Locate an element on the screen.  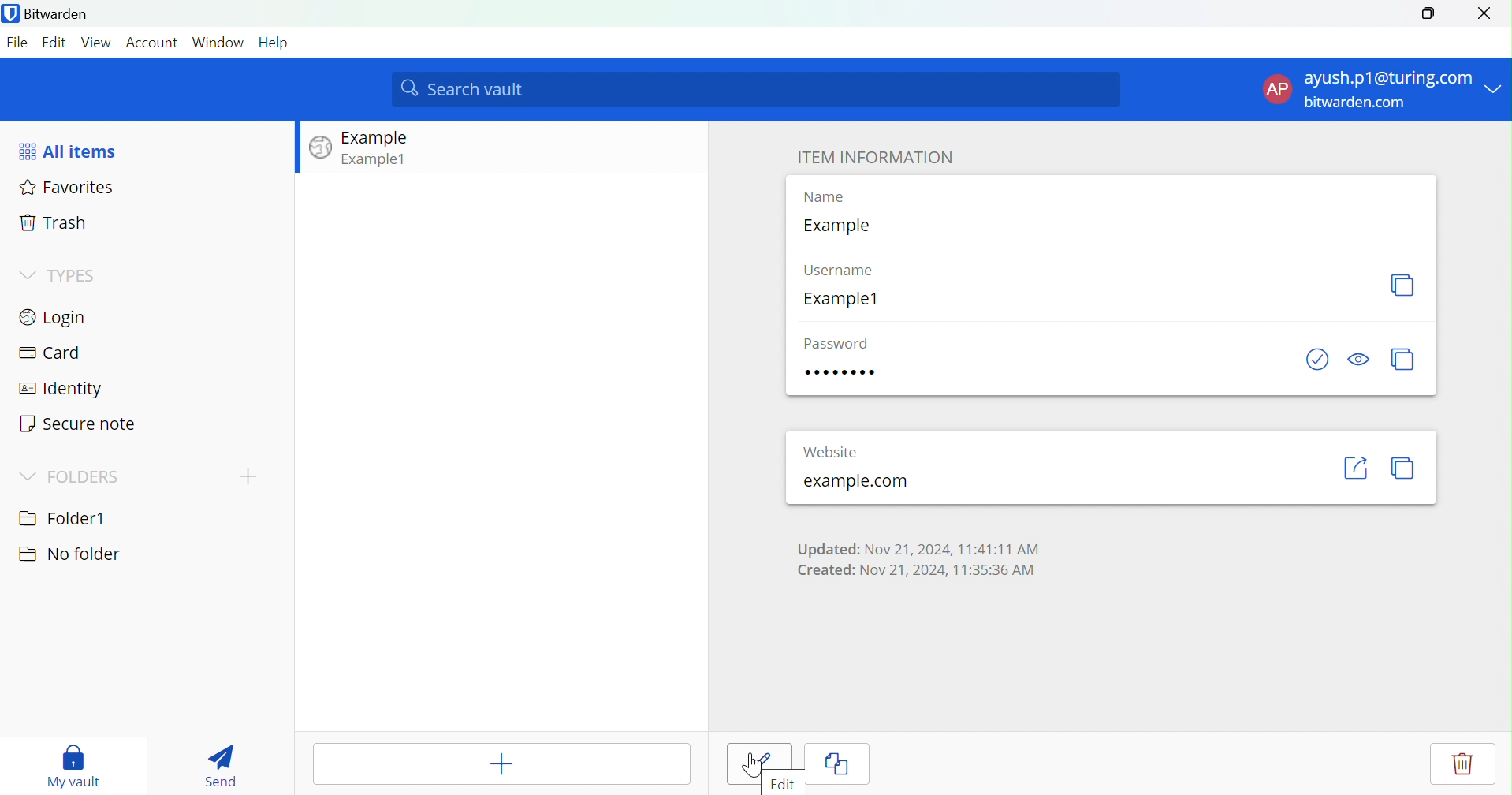
cursor is located at coordinates (251, 478).